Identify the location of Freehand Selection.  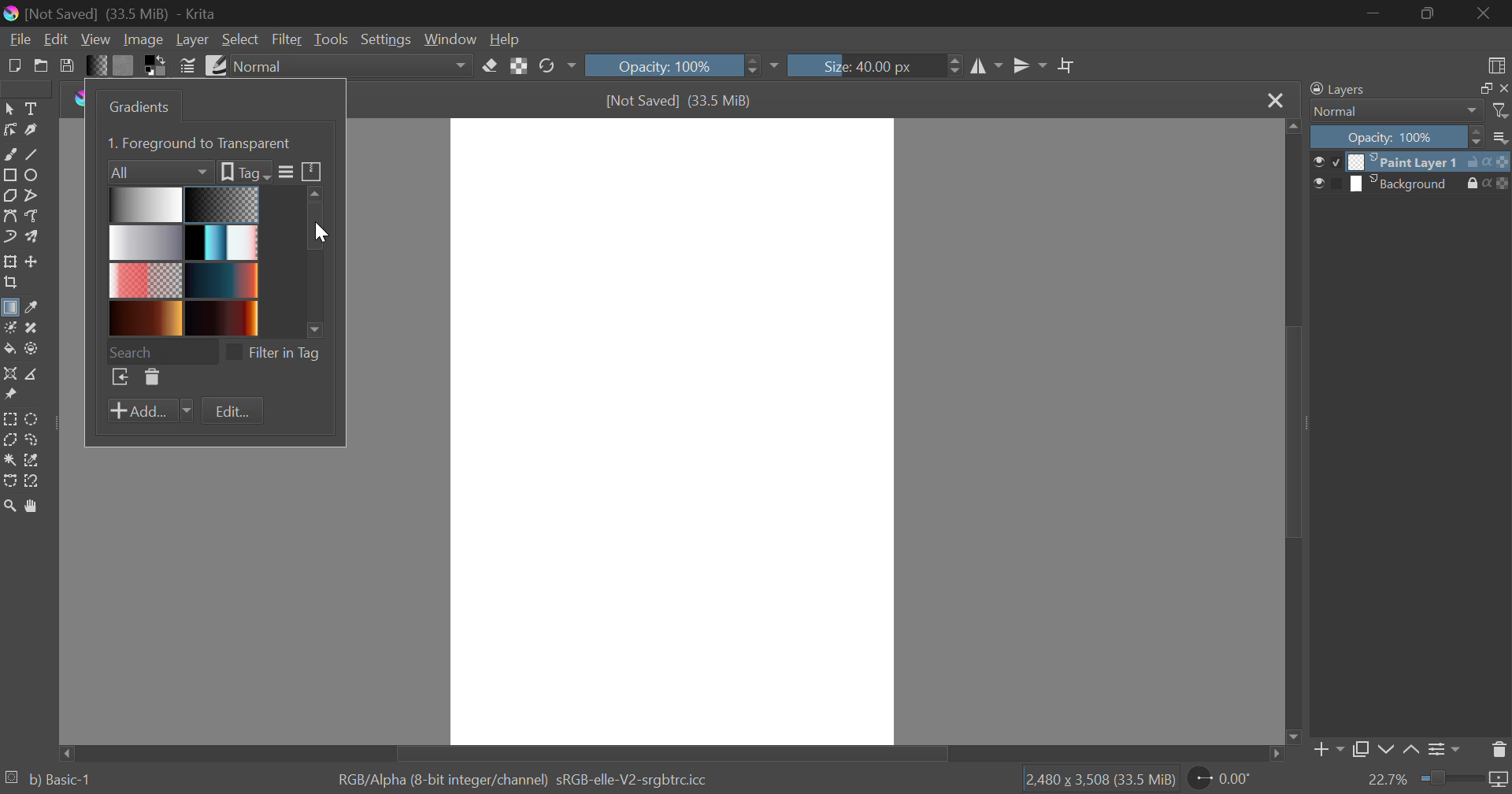
(32, 440).